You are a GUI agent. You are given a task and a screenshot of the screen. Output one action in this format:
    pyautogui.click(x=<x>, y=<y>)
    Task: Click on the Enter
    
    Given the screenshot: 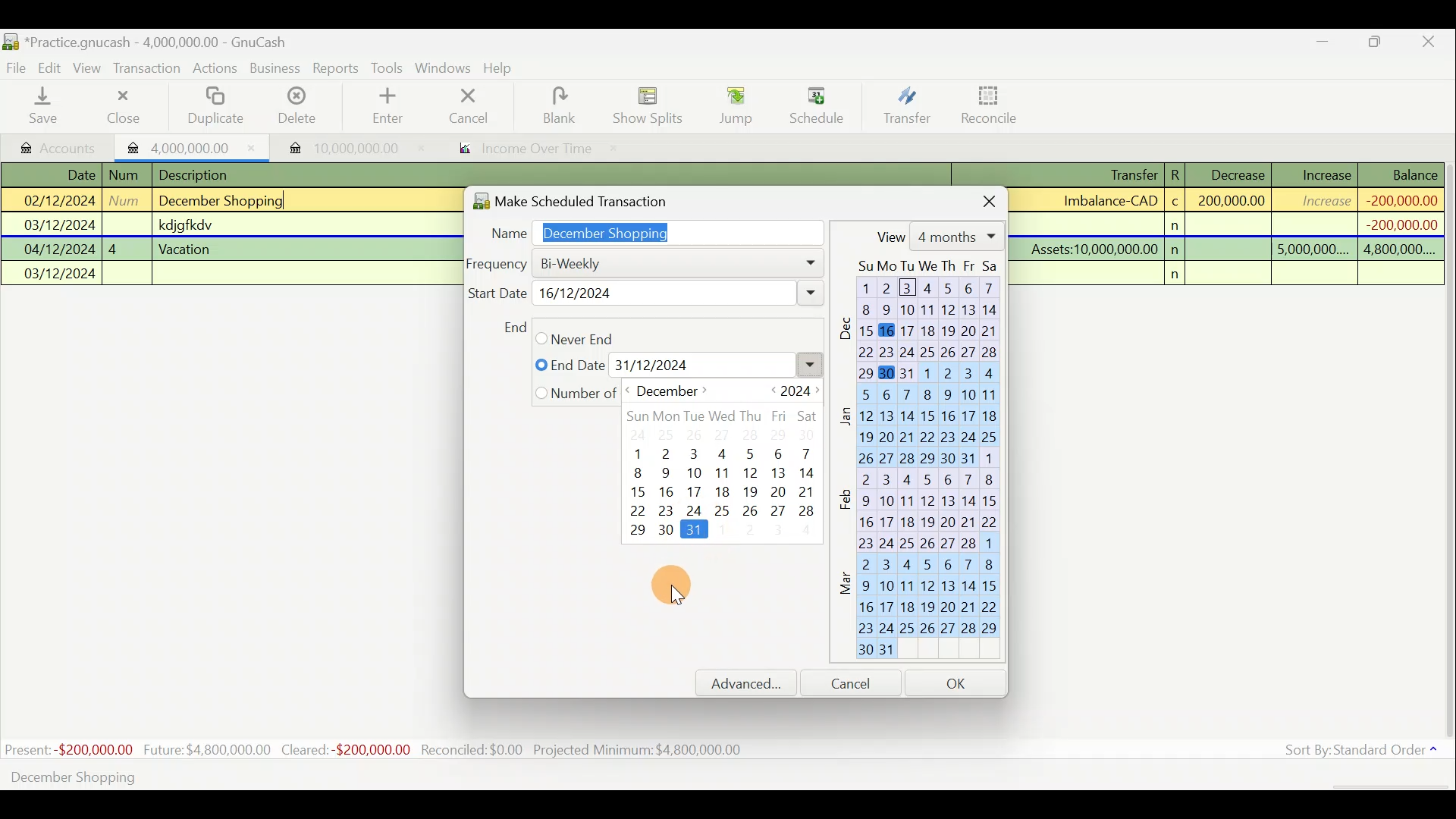 What is the action you would take?
    pyautogui.click(x=386, y=106)
    